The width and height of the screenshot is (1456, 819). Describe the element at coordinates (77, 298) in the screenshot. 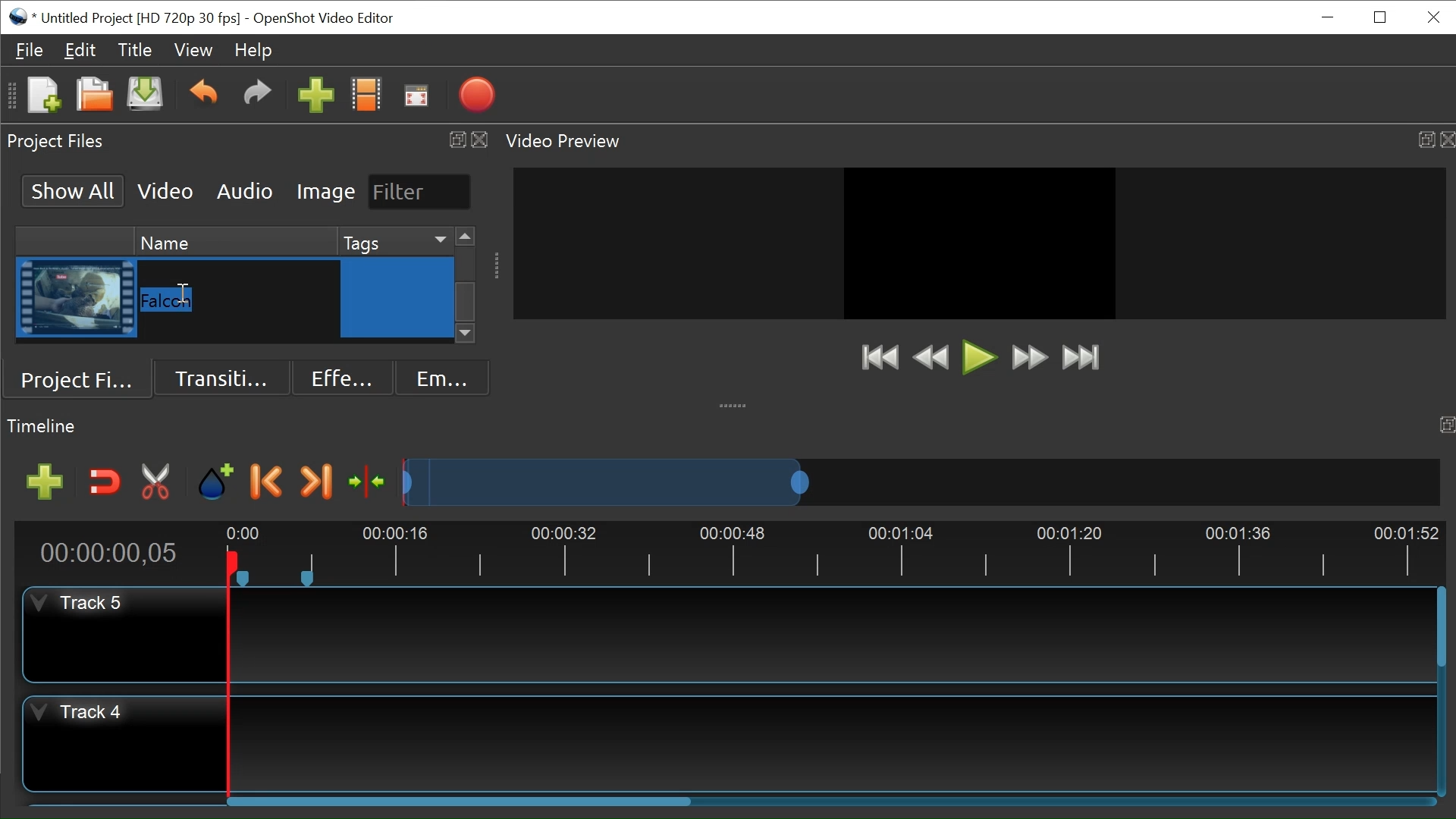

I see `Clip` at that location.